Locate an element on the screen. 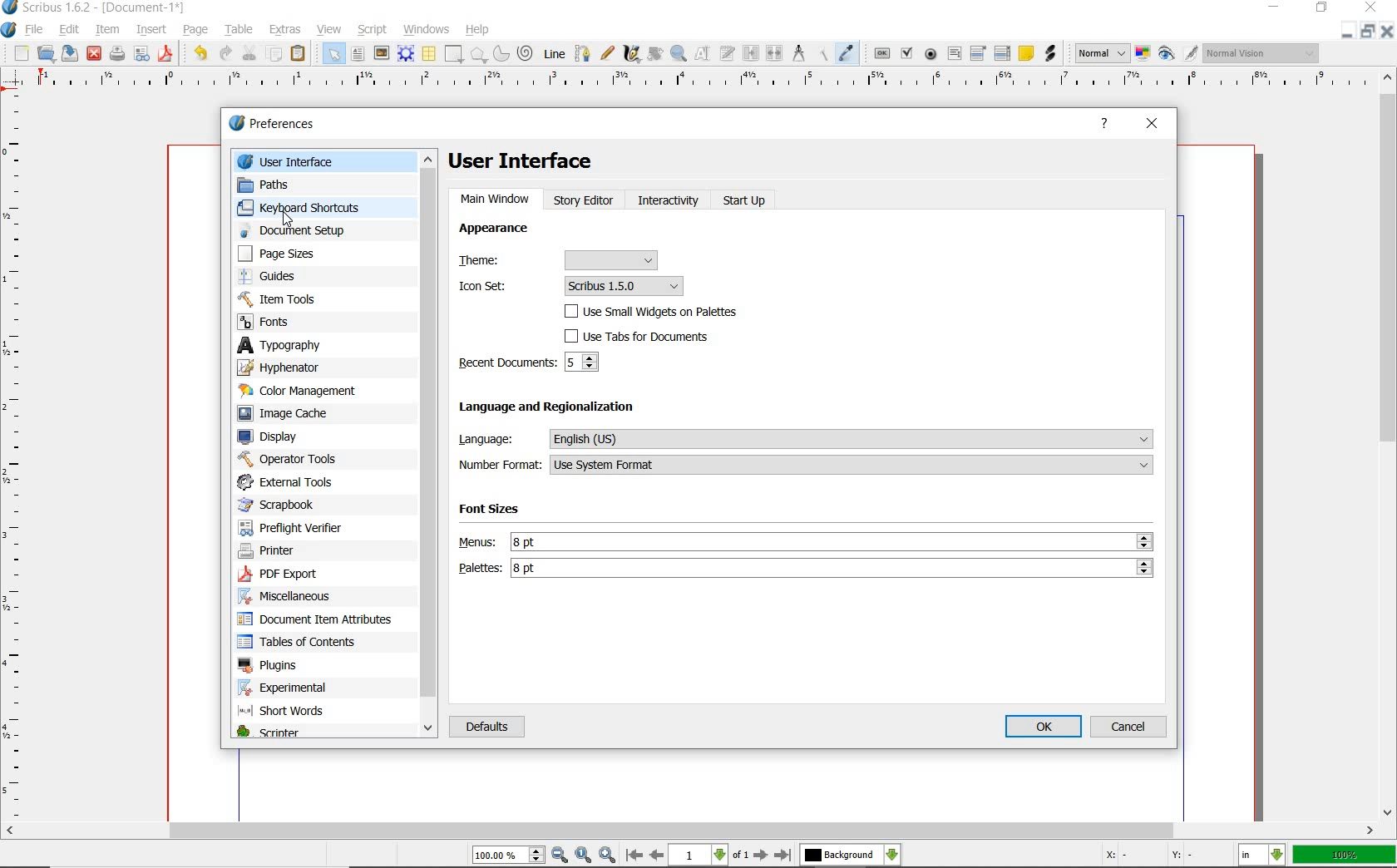  new is located at coordinates (21, 54).